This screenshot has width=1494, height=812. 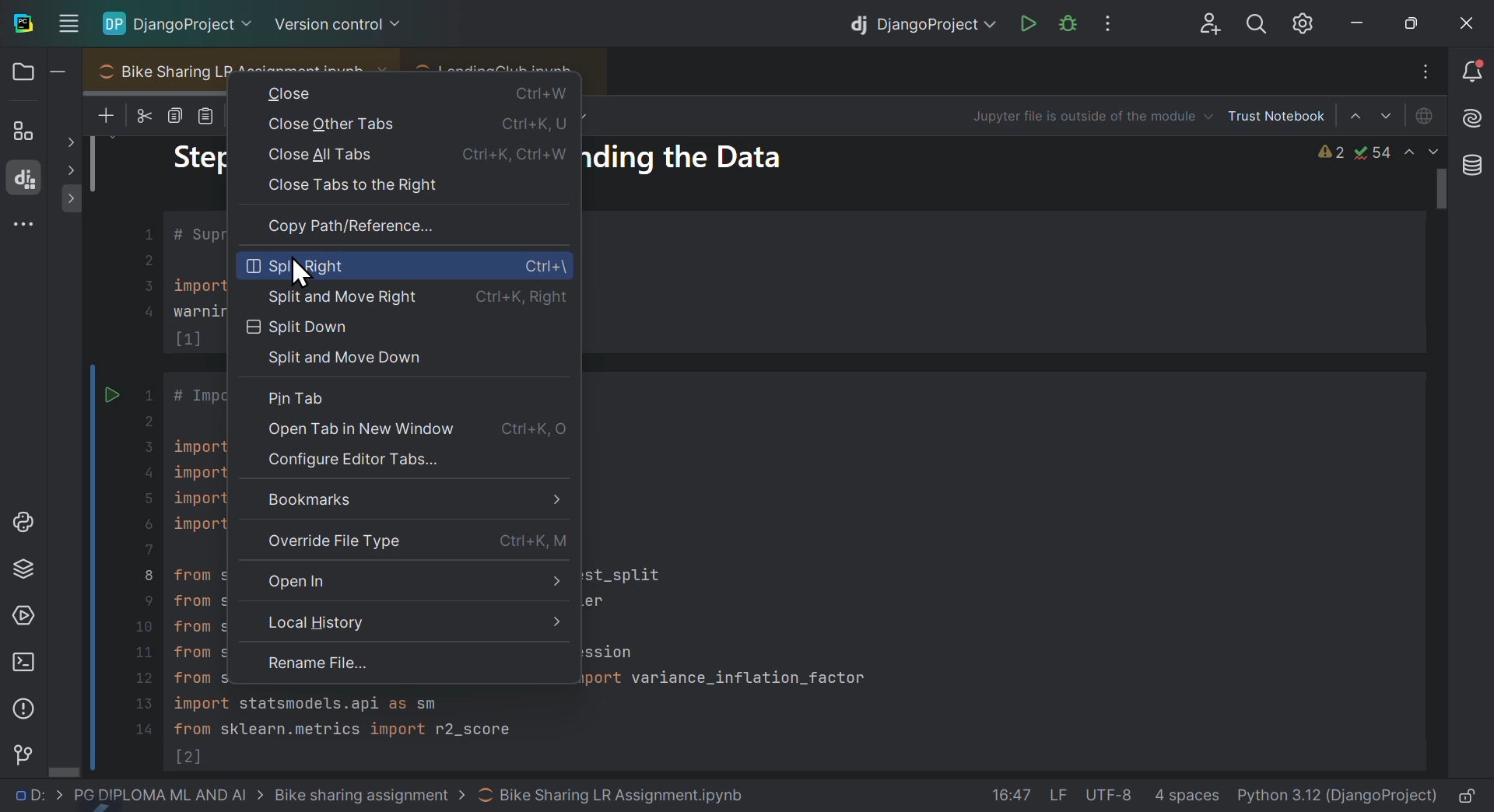 What do you see at coordinates (23, 753) in the screenshot?
I see `Version control` at bounding box center [23, 753].